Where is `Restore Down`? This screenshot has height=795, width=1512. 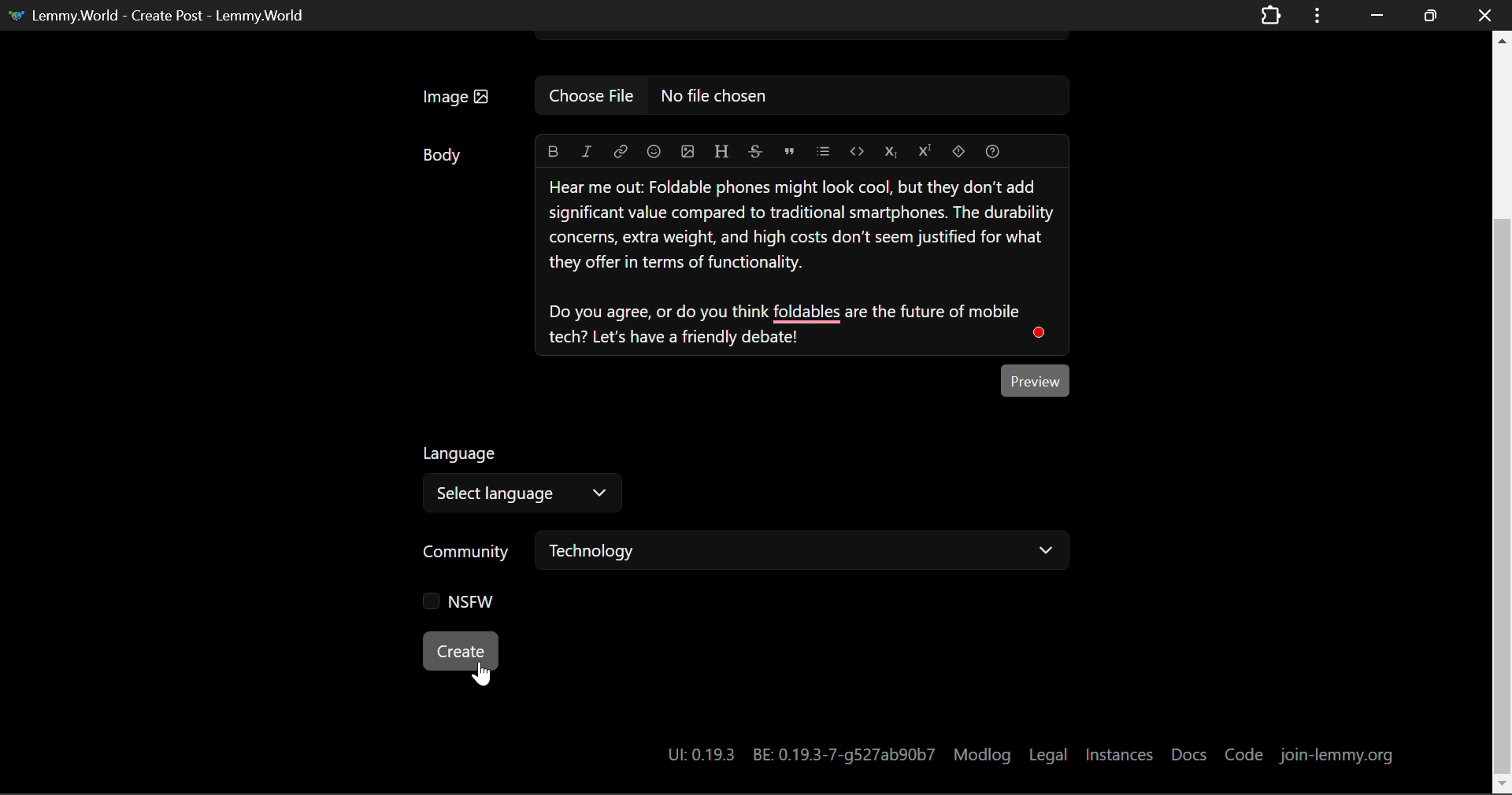
Restore Down is located at coordinates (1374, 15).